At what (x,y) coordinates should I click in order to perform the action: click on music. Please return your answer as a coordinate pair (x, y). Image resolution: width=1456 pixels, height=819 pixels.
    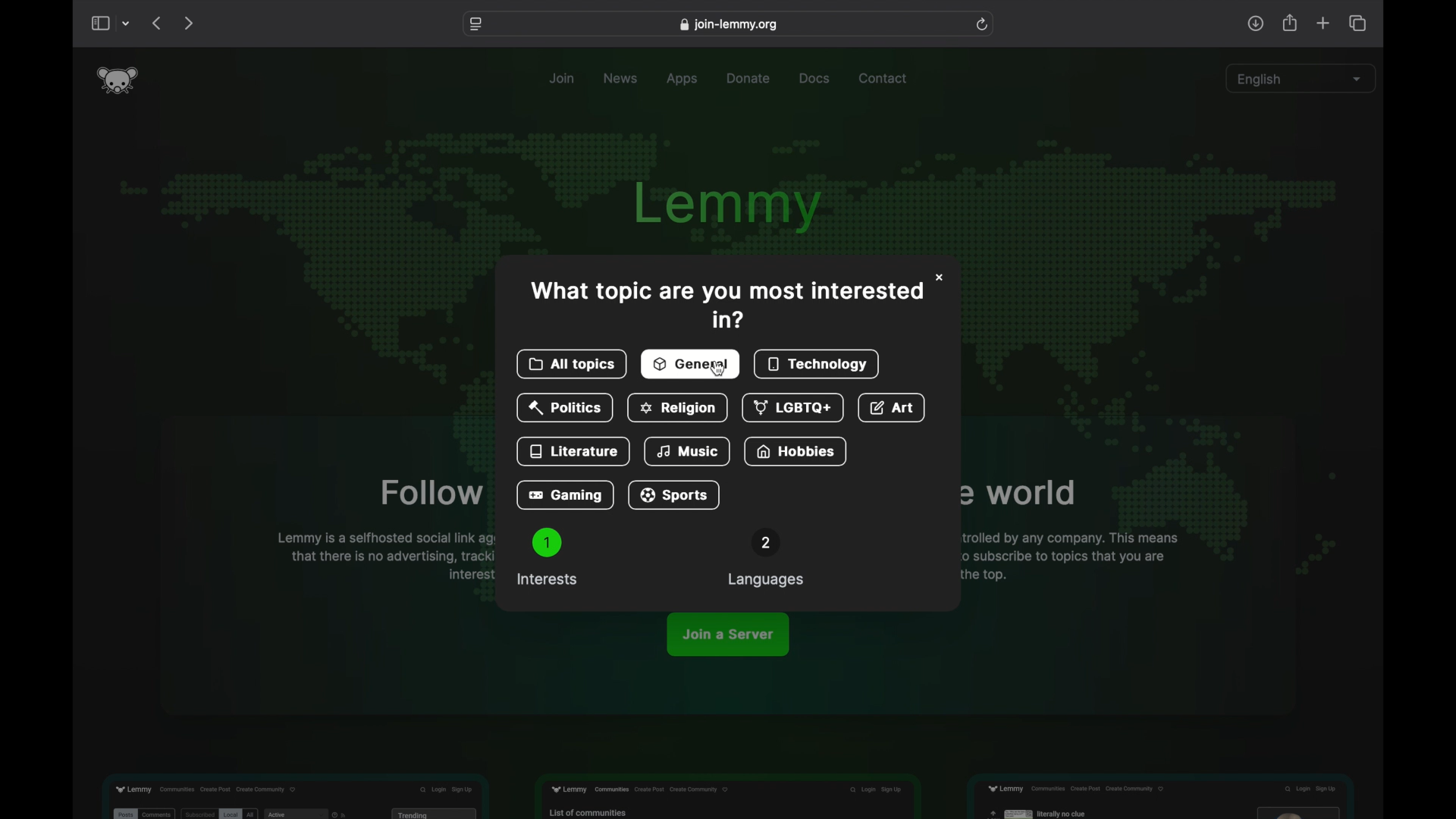
    Looking at the image, I should click on (690, 452).